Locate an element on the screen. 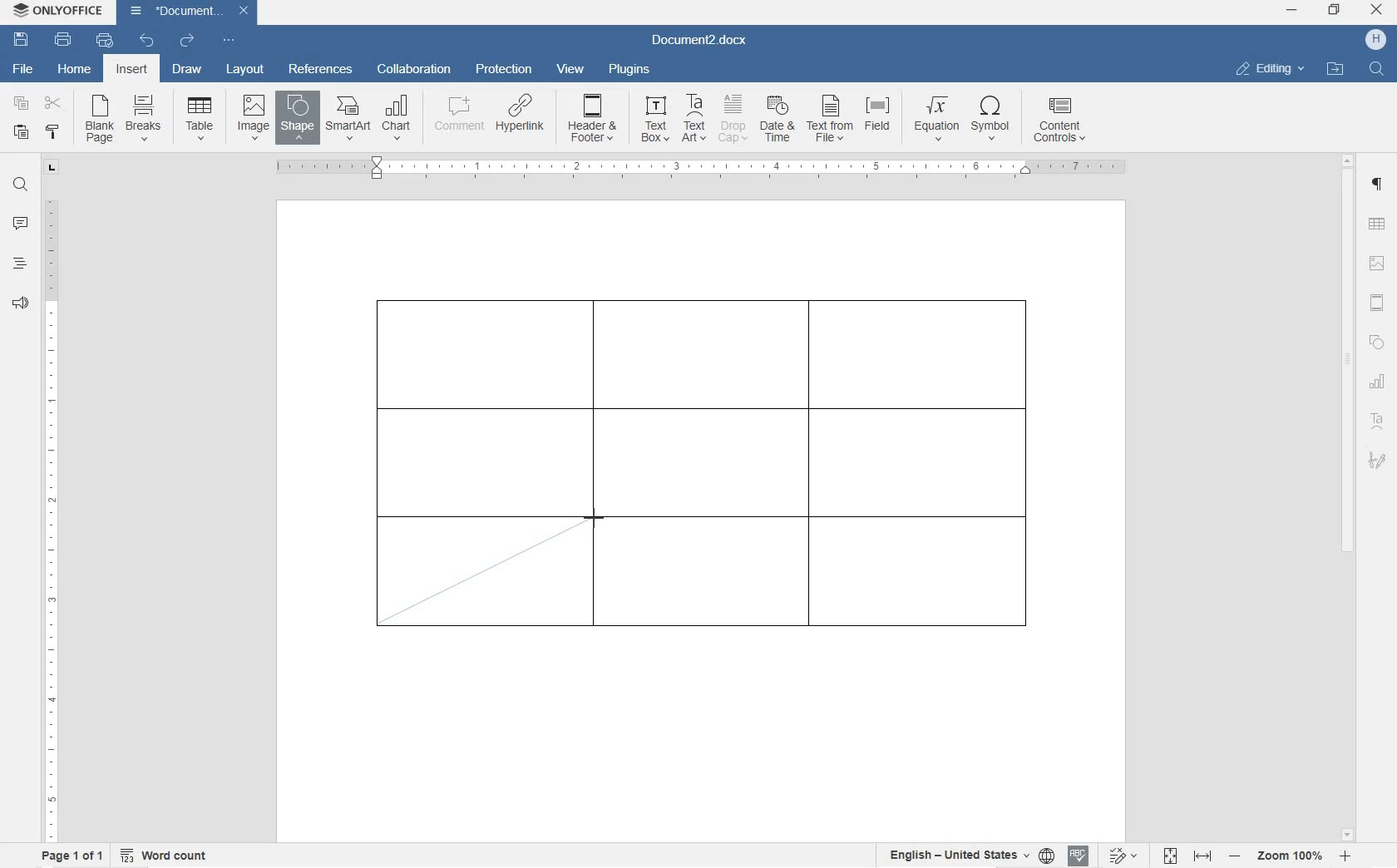  SmartArt is located at coordinates (348, 118).